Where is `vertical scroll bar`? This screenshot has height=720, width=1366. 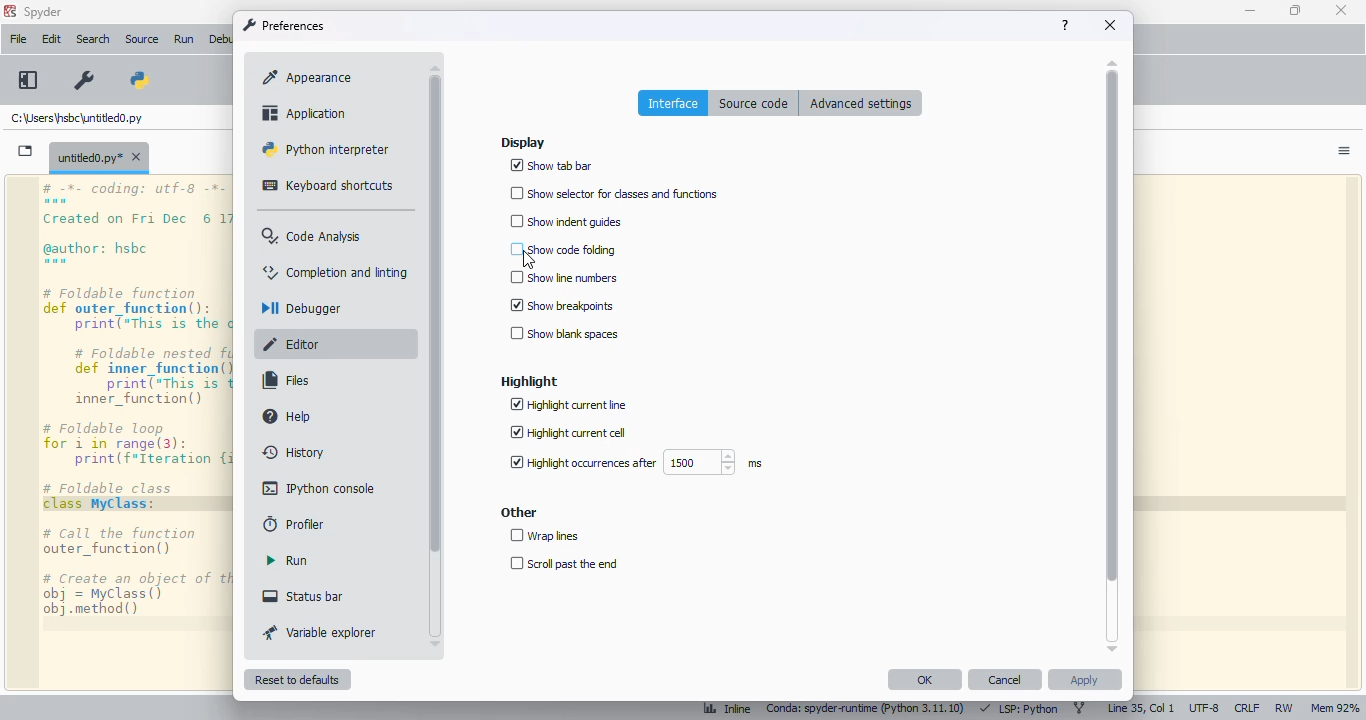
vertical scroll bar is located at coordinates (1113, 327).